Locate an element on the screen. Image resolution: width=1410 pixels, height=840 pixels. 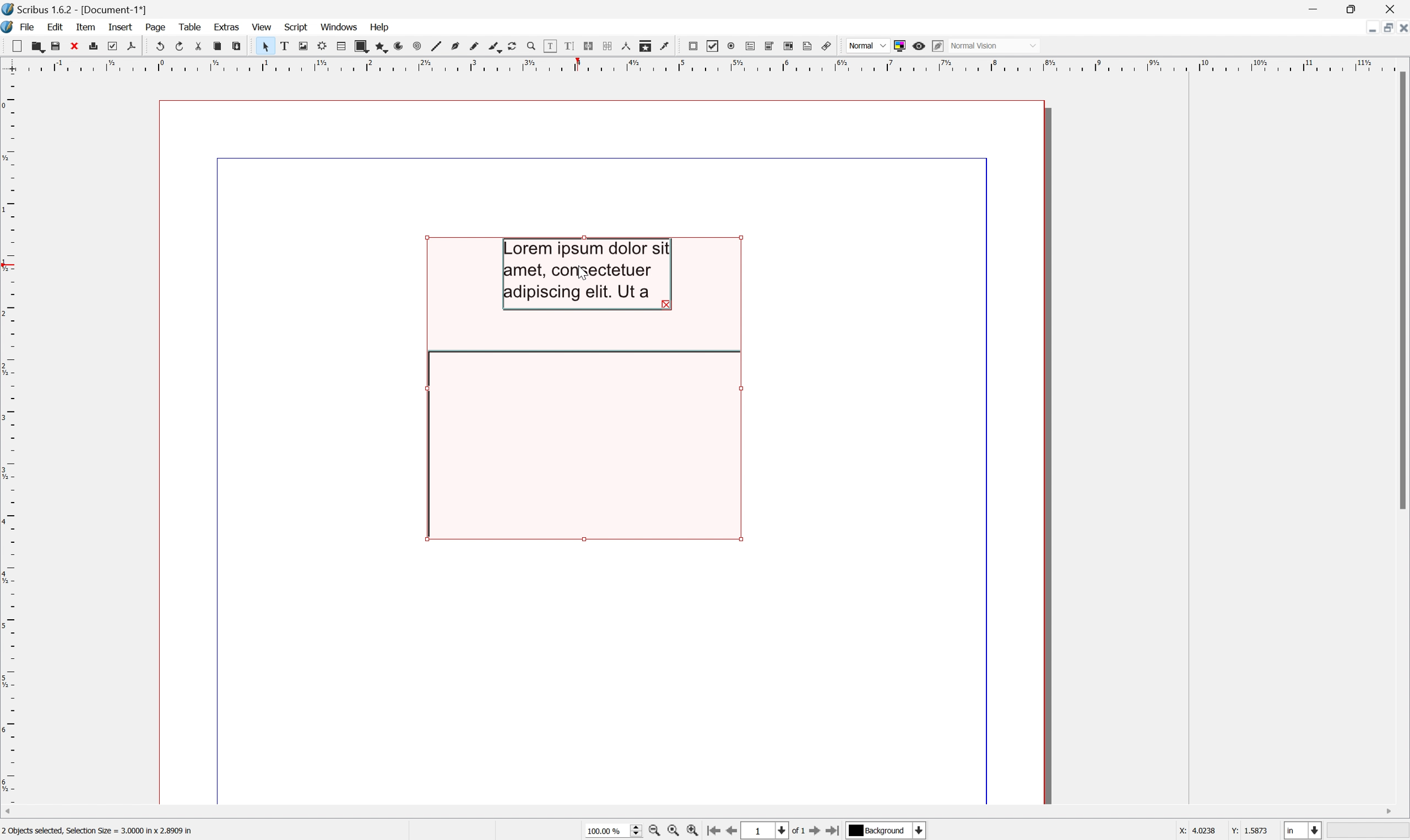
Go to the last page is located at coordinates (836, 831).